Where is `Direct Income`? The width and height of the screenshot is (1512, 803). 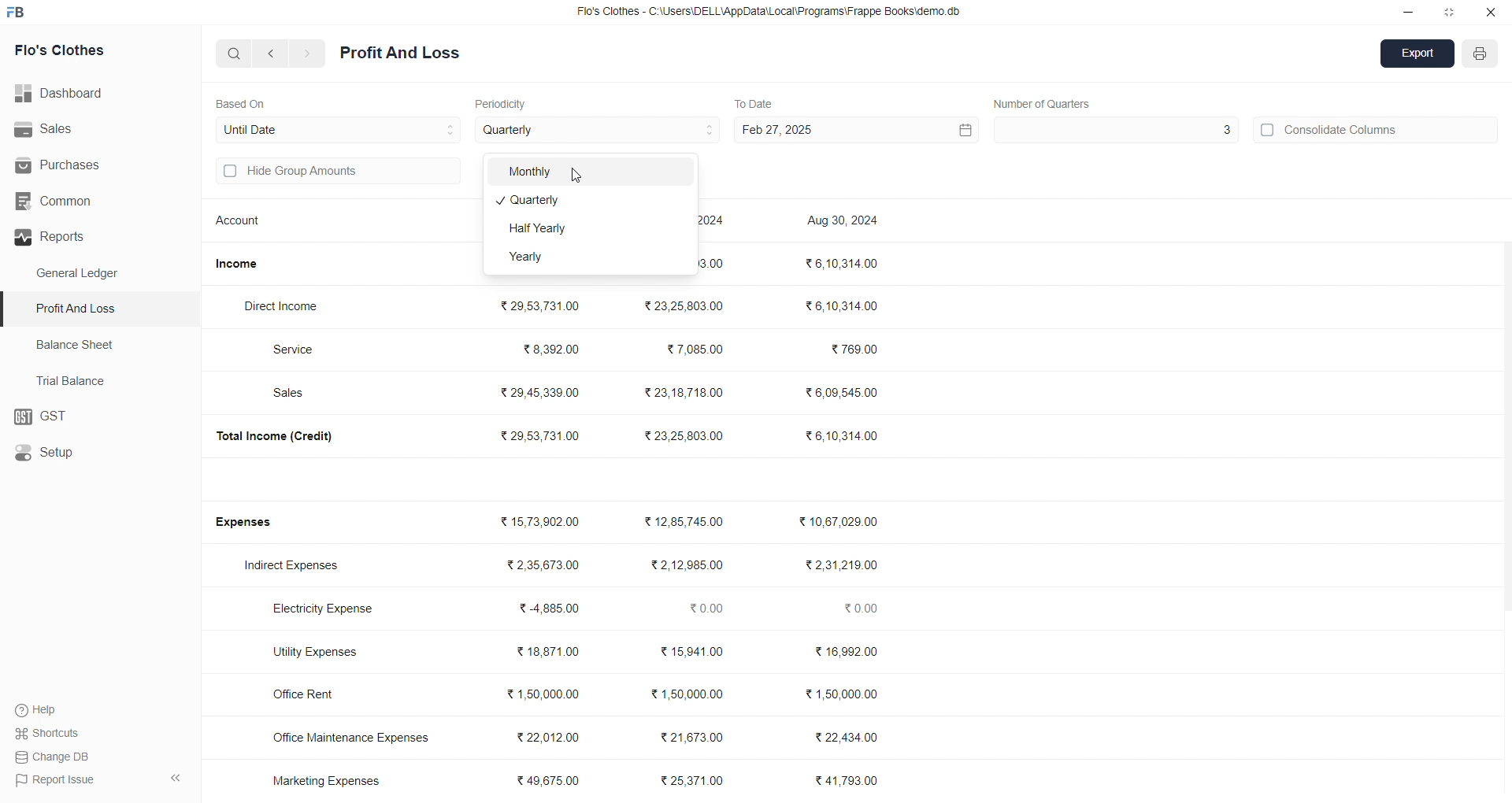
Direct Income is located at coordinates (289, 307).